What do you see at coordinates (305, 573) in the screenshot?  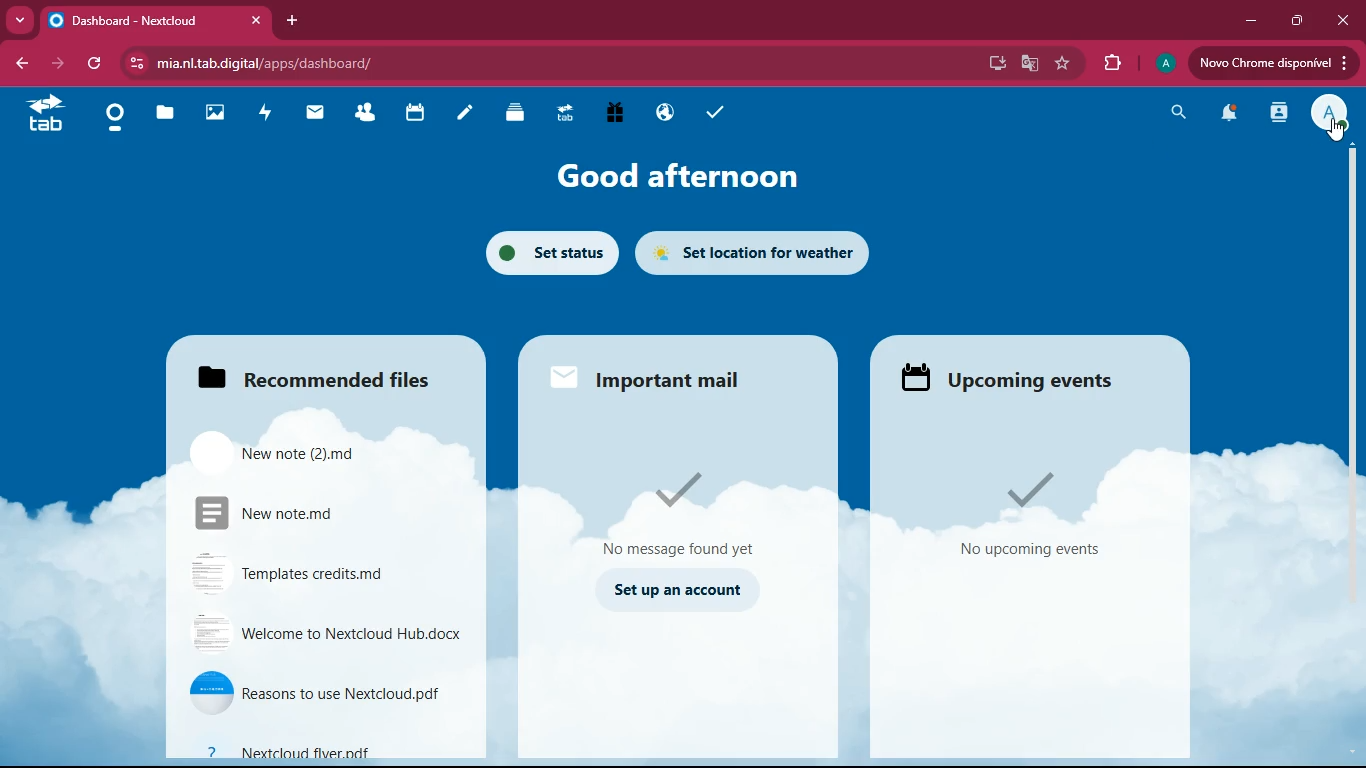 I see `file` at bounding box center [305, 573].